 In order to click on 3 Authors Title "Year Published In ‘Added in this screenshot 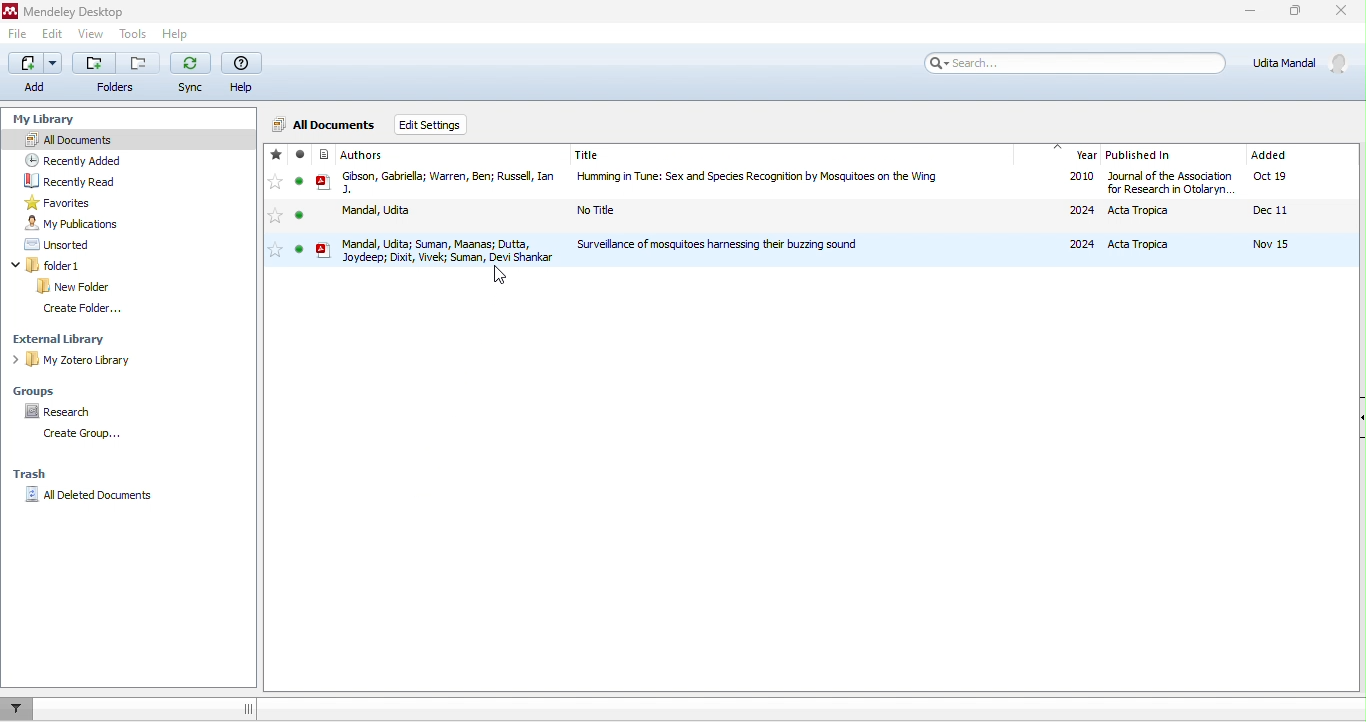, I will do `click(820, 154)`.